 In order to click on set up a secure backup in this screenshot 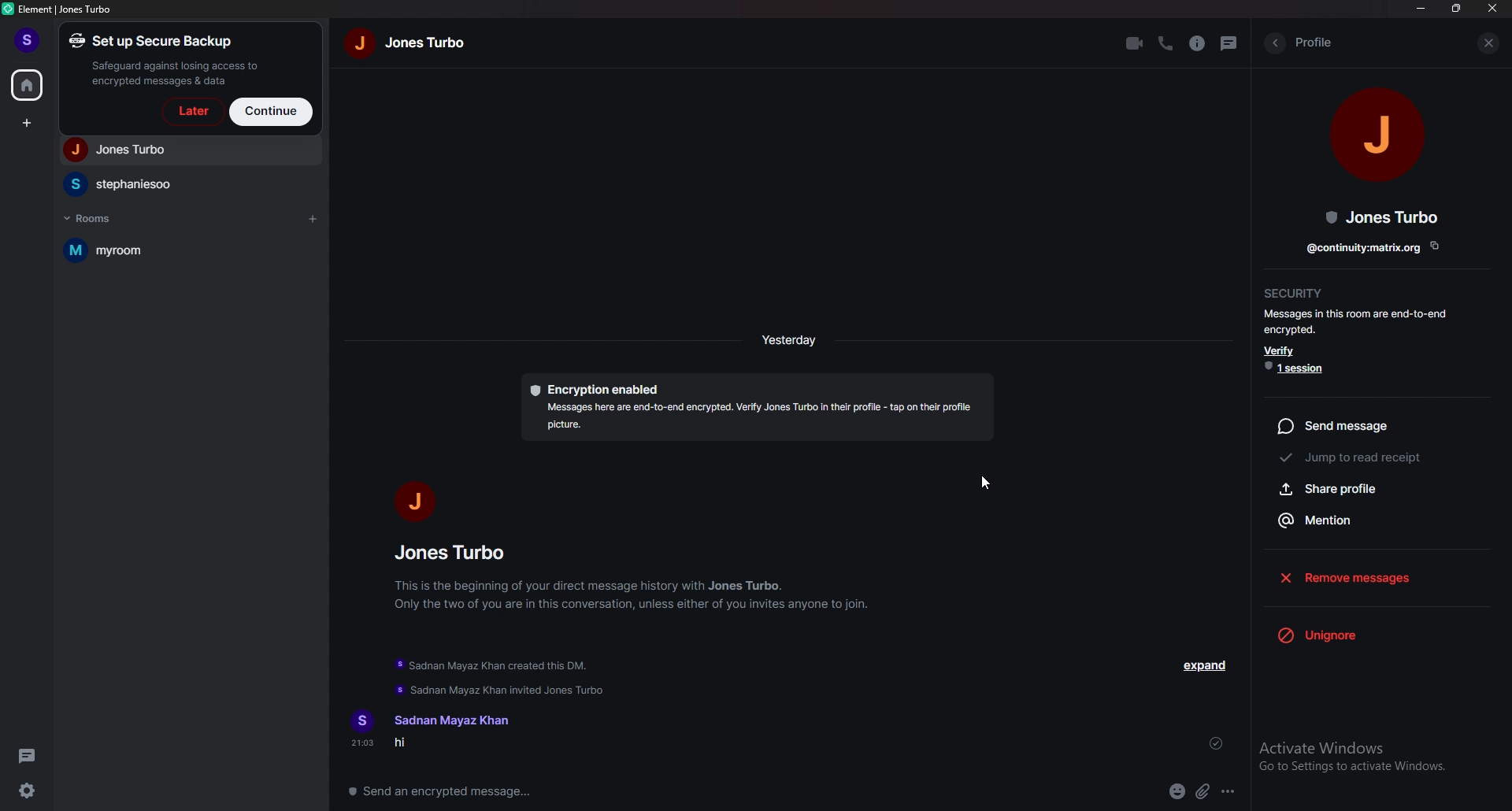, I will do `click(169, 59)`.